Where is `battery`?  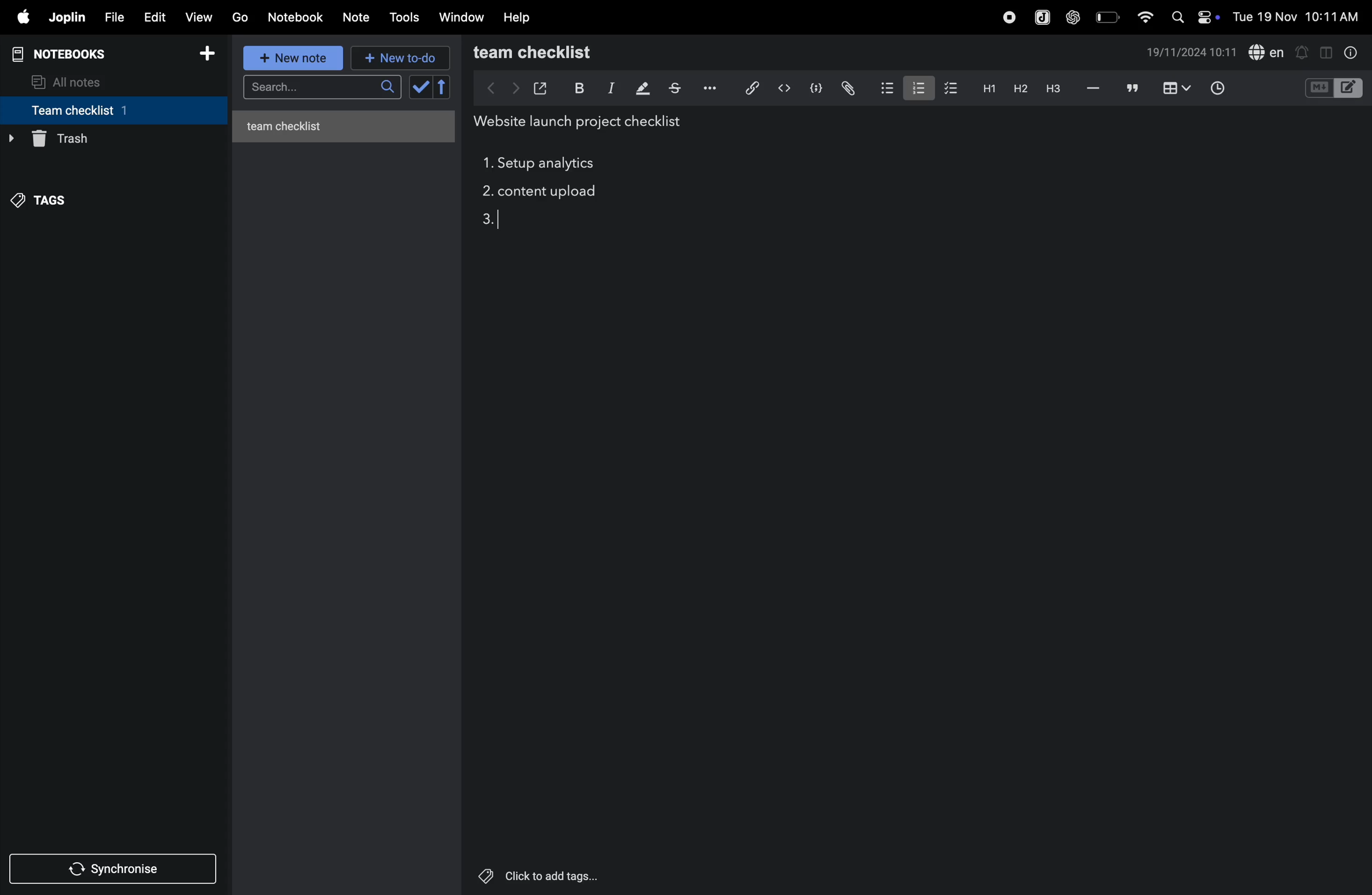 battery is located at coordinates (1106, 17).